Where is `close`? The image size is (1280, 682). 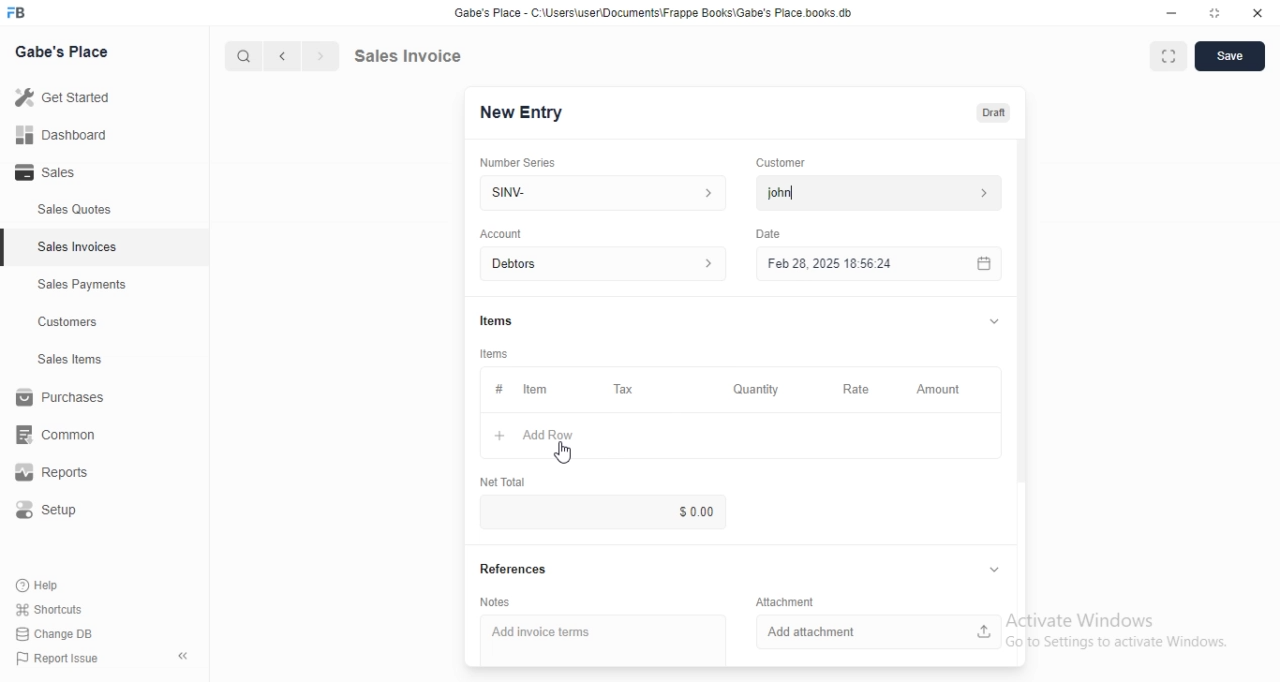
close is located at coordinates (1257, 14).